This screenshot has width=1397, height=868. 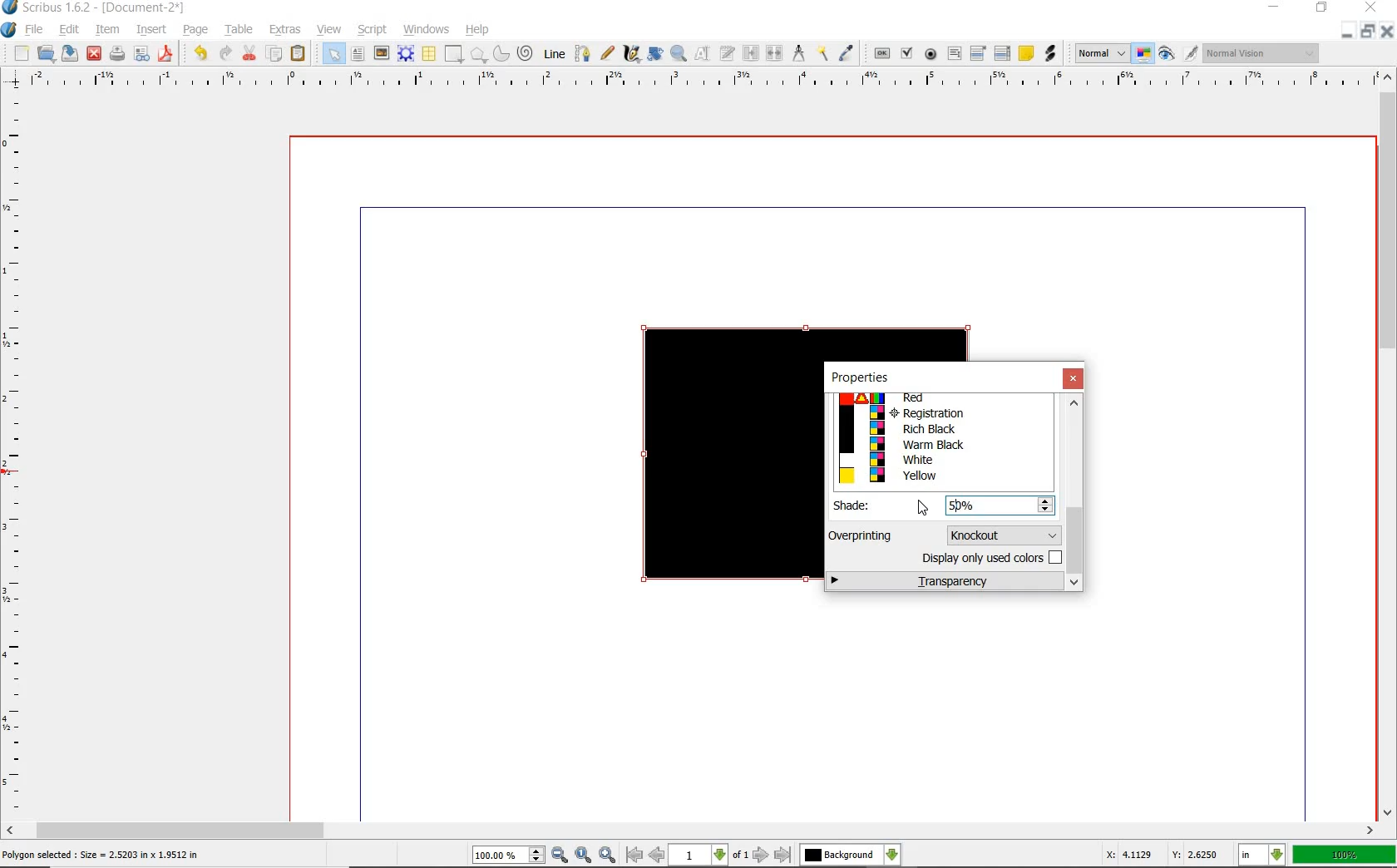 I want to click on cursor, so click(x=923, y=508).